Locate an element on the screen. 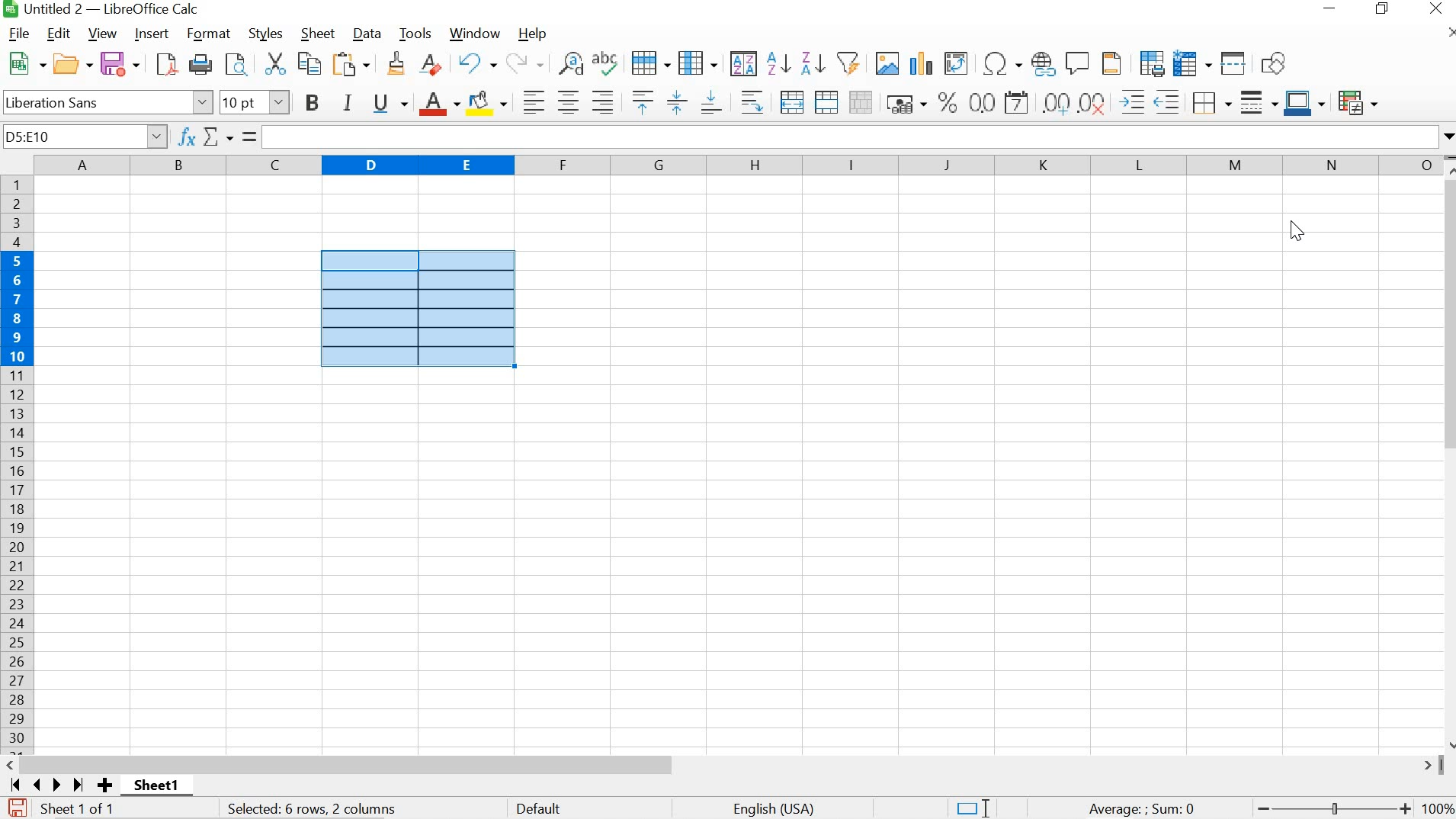 The image size is (1456, 819). SORT ASCENDING is located at coordinates (777, 65).